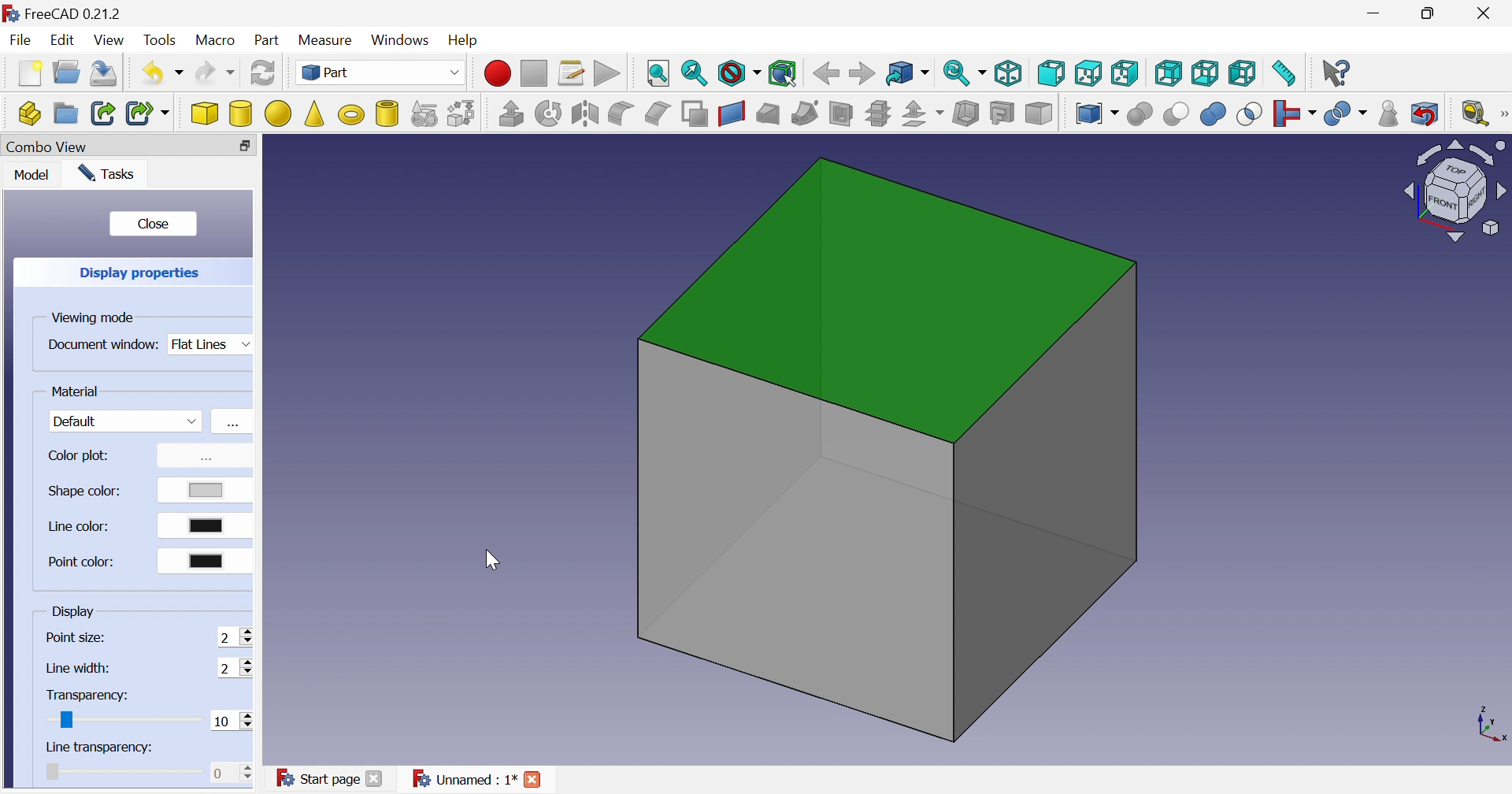 This screenshot has width=1512, height=794. What do you see at coordinates (207, 560) in the screenshot?
I see `Select color` at bounding box center [207, 560].